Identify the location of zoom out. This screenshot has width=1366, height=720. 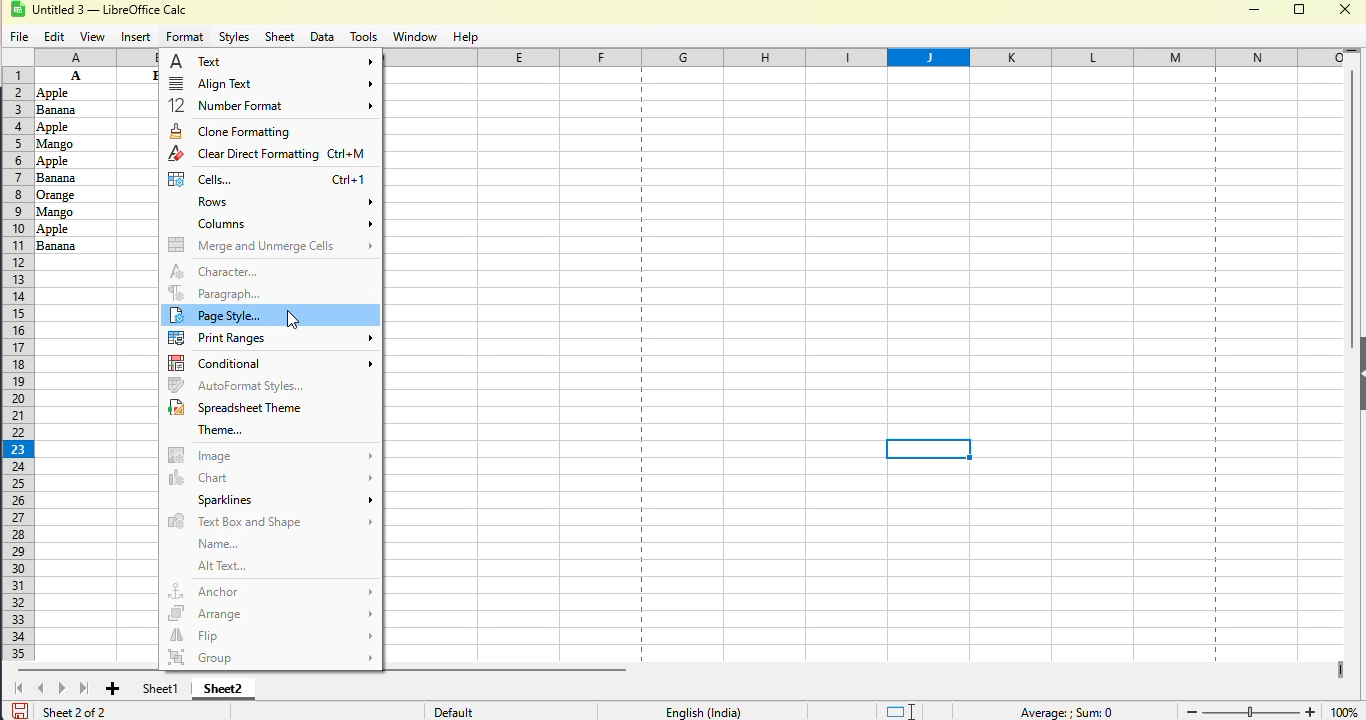
(1190, 712).